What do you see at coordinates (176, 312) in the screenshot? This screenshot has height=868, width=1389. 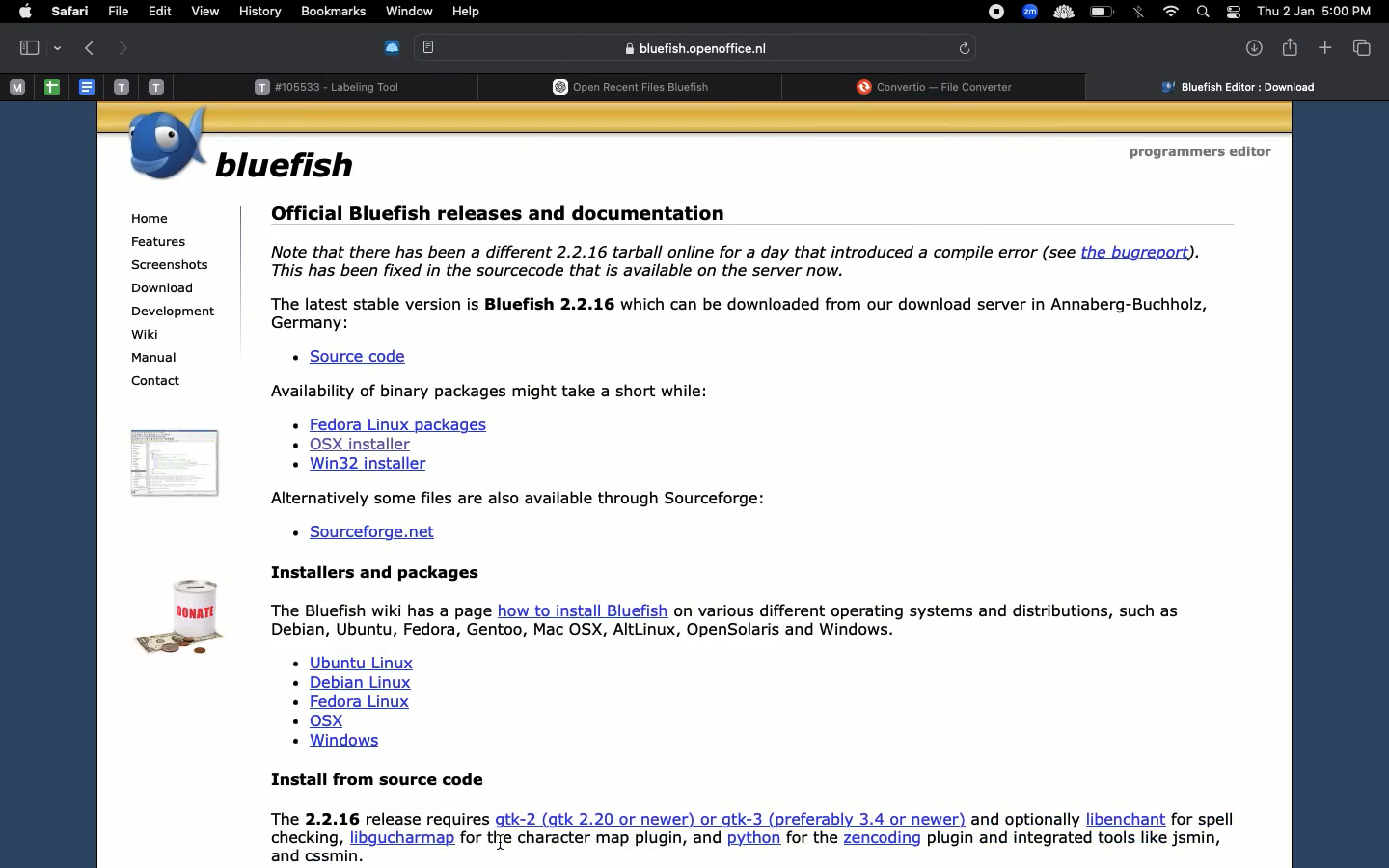 I see `development` at bounding box center [176, 312].